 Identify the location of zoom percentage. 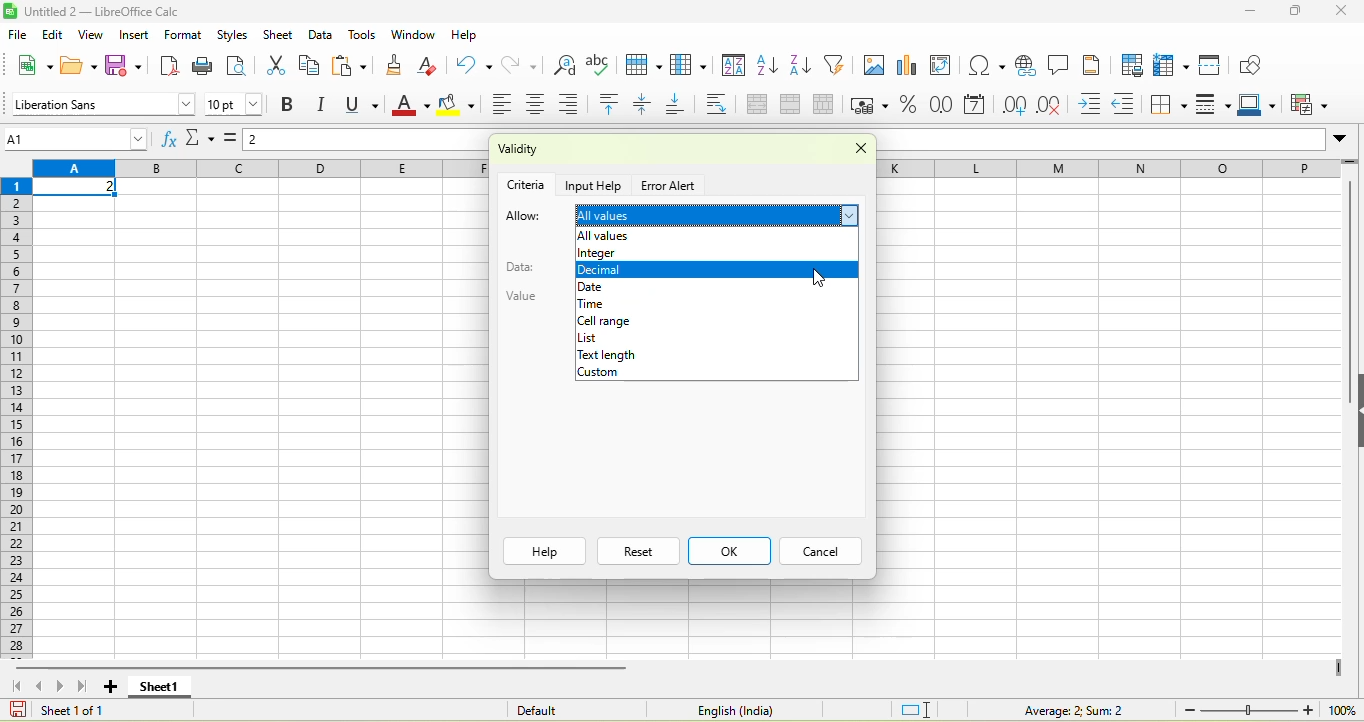
(1342, 709).